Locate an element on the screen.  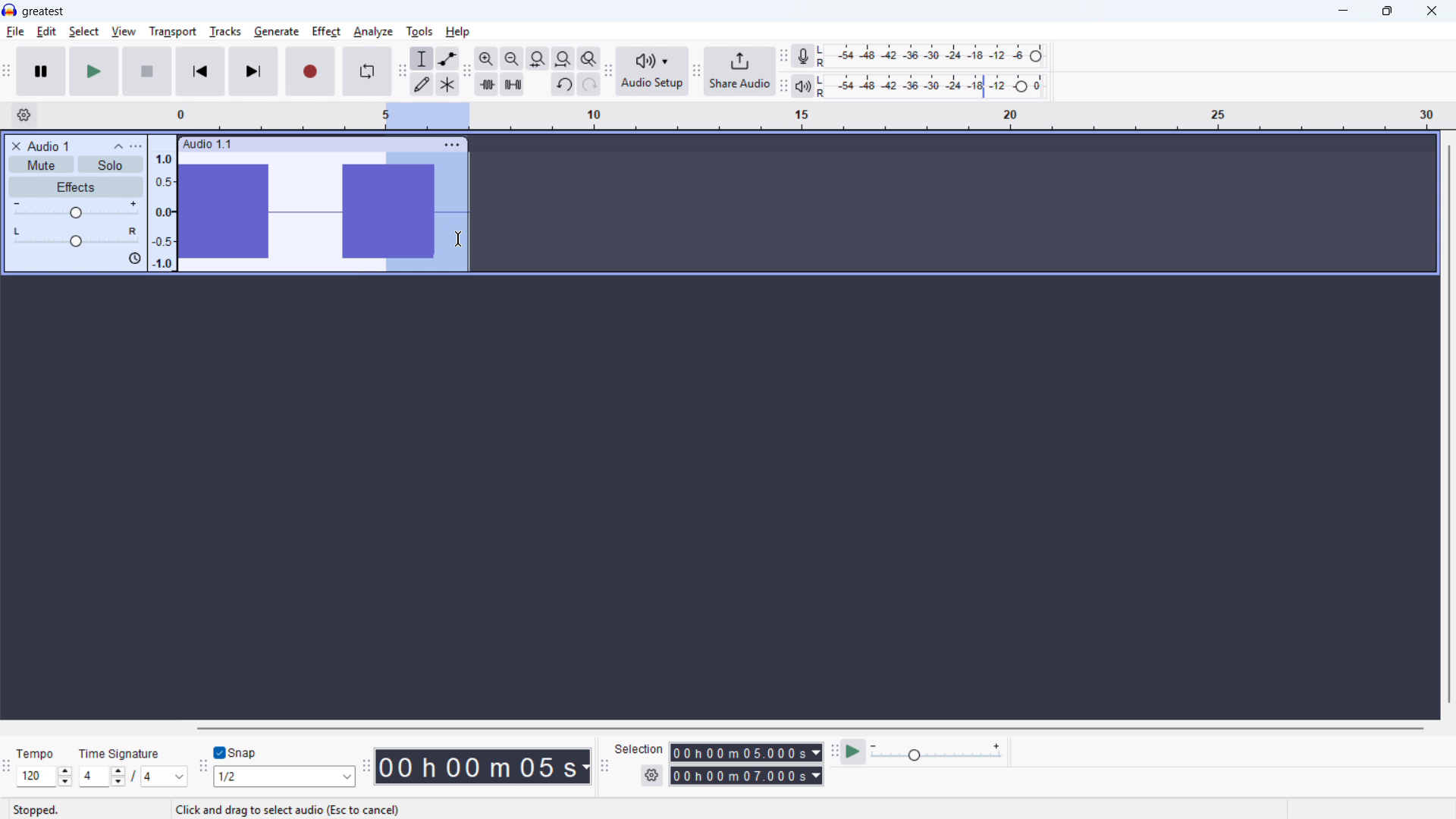
select is located at coordinates (84, 32).